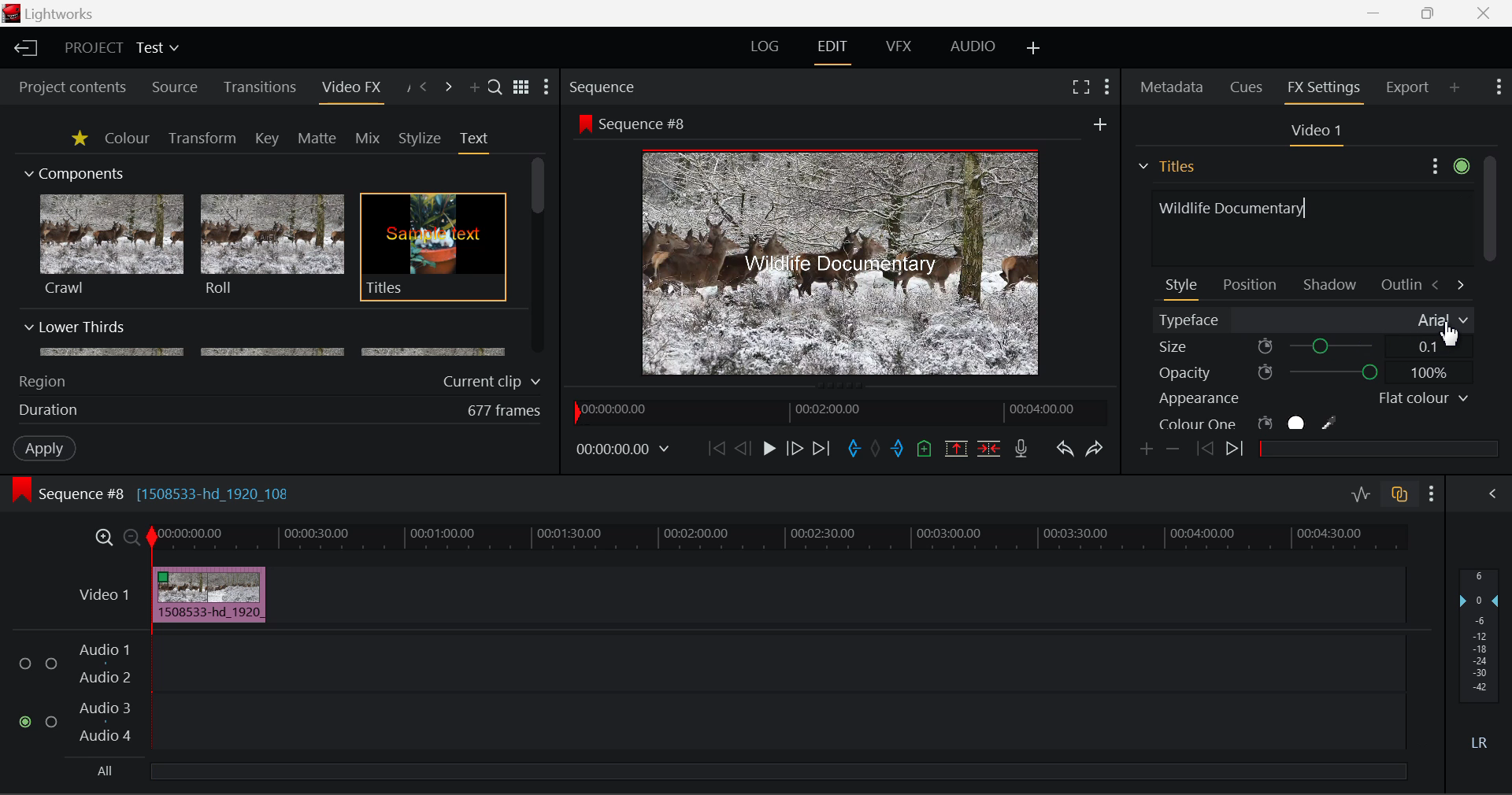  I want to click on Toggle audio levels editing, so click(1359, 492).